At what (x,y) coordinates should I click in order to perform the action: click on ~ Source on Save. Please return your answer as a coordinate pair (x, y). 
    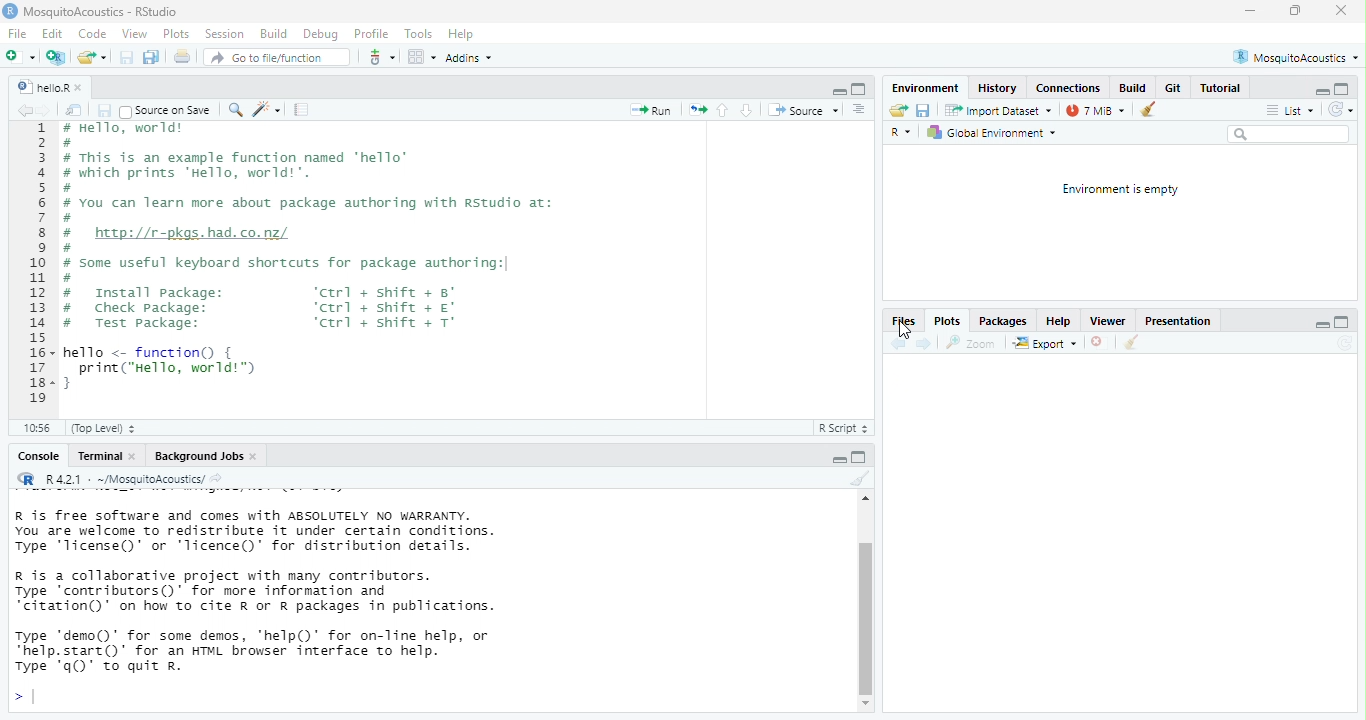
    Looking at the image, I should click on (169, 110).